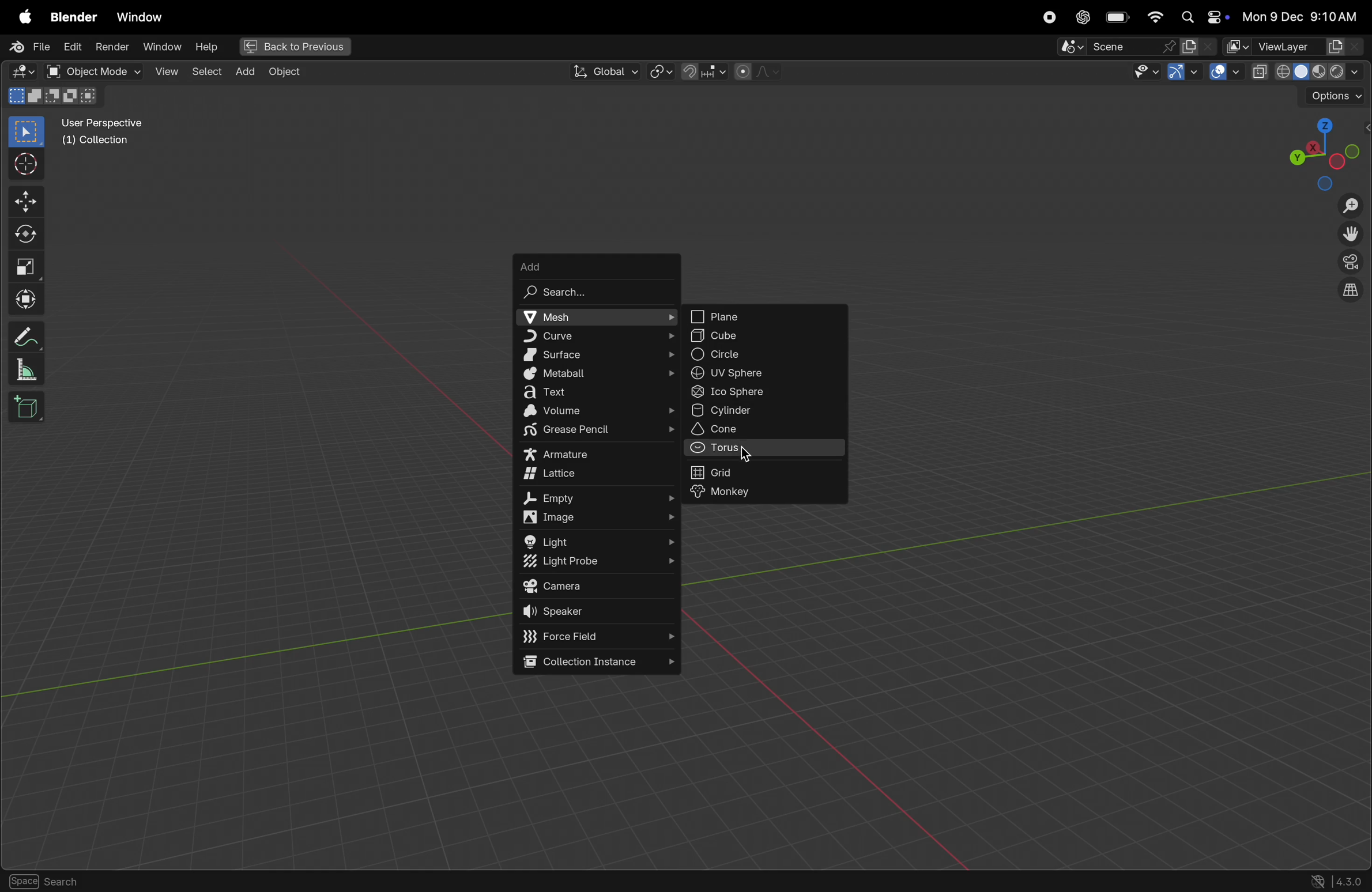 The width and height of the screenshot is (1372, 892). I want to click on light probe, so click(594, 563).